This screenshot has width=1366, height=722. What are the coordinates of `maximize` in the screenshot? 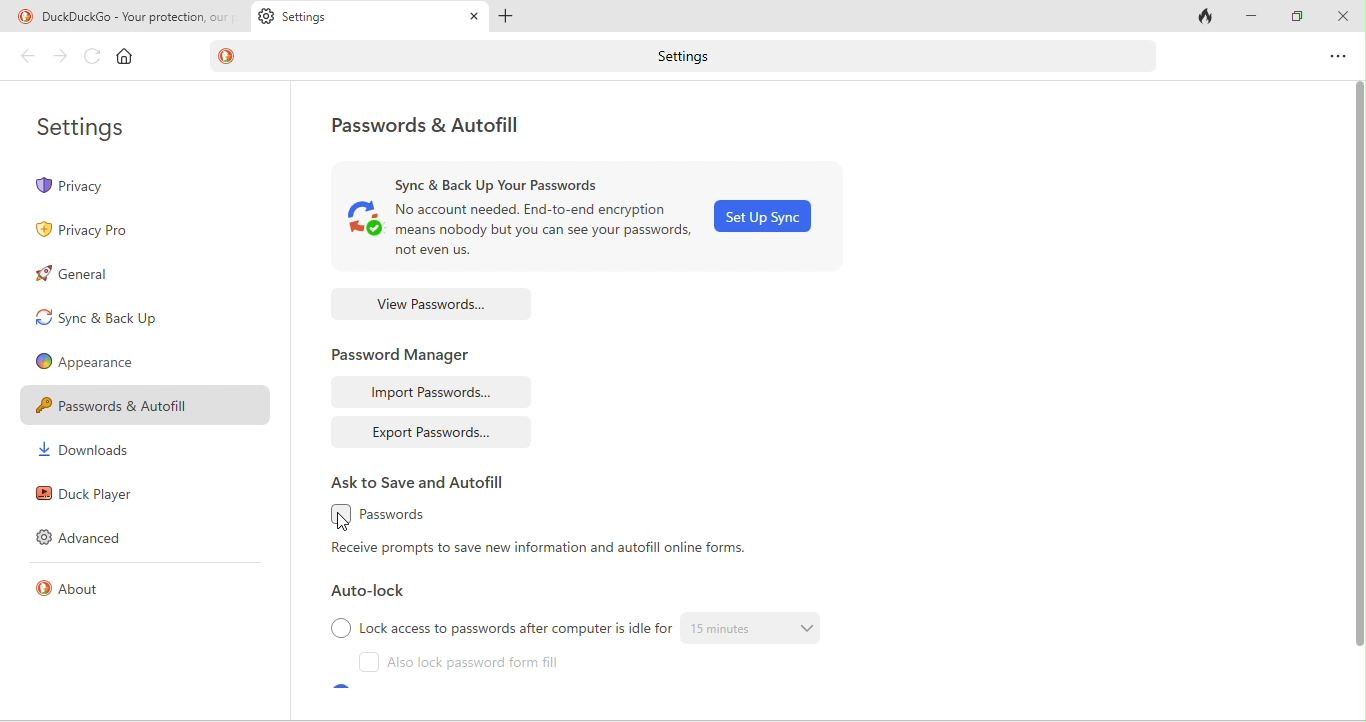 It's located at (1296, 16).